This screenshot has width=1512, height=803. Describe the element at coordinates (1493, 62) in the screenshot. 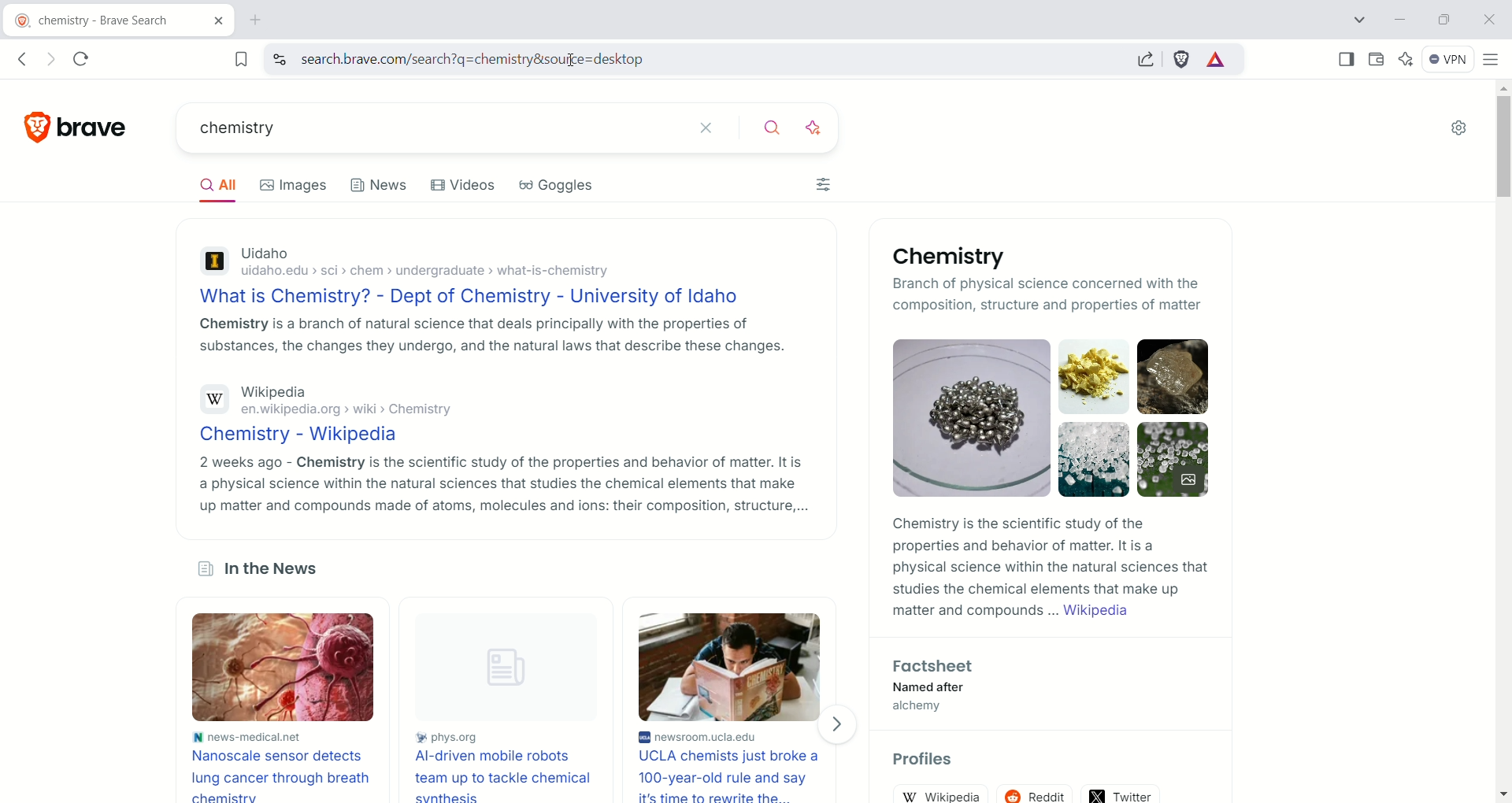

I see `customize and control Brave` at that location.